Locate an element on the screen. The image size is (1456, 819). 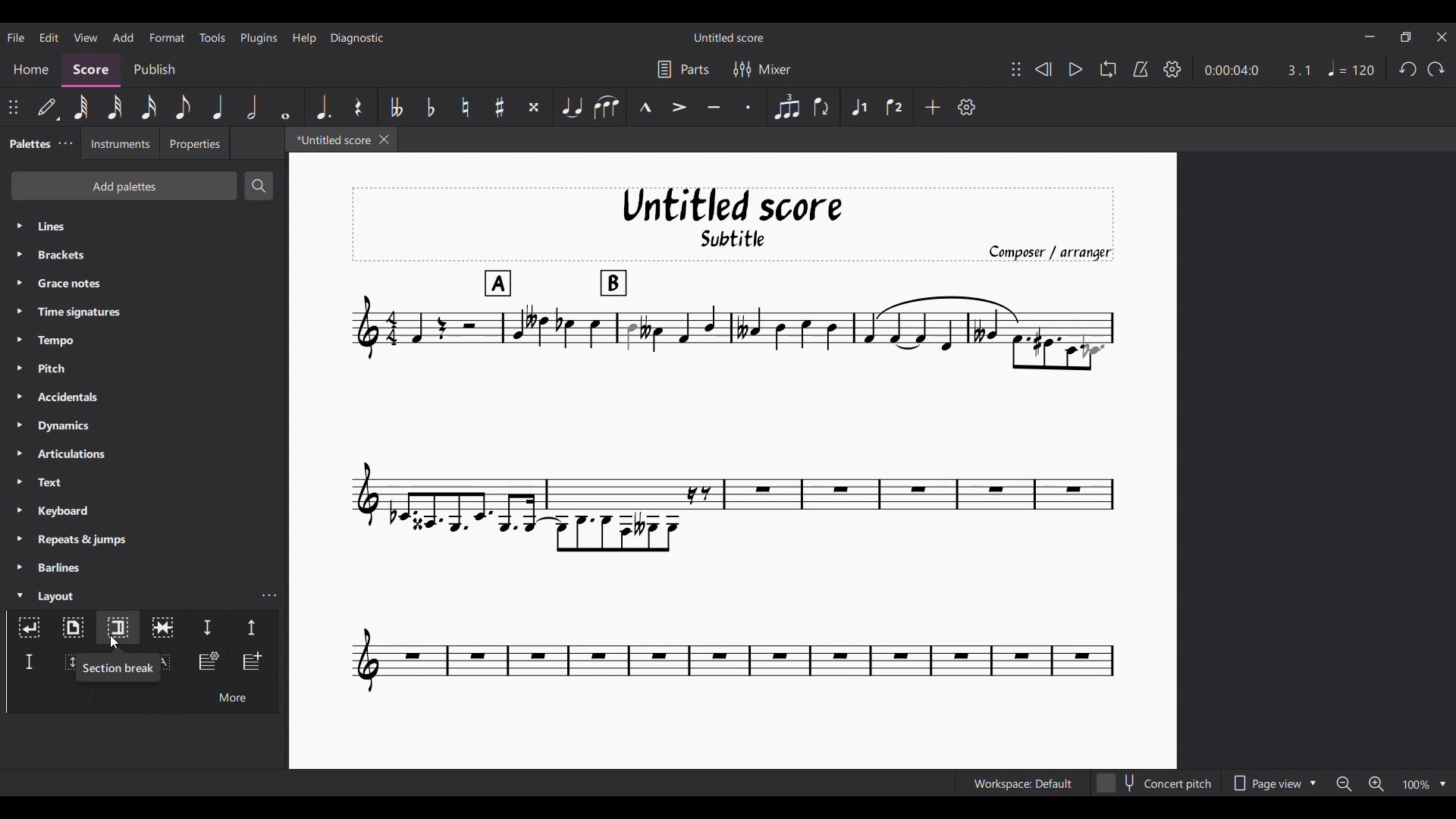
Page view options is located at coordinates (1272, 783).